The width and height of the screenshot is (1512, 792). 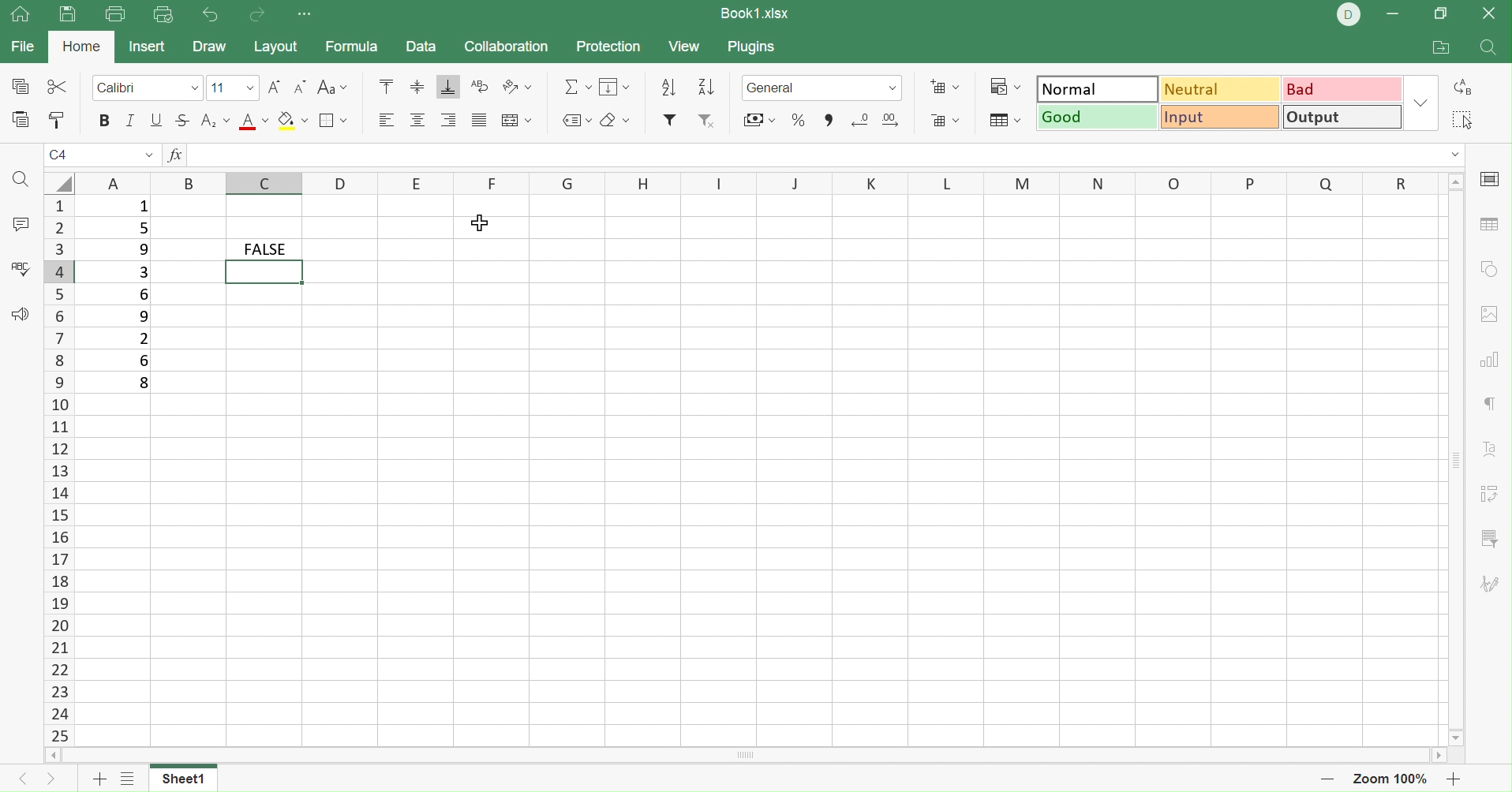 I want to click on Previous, so click(x=17, y=783).